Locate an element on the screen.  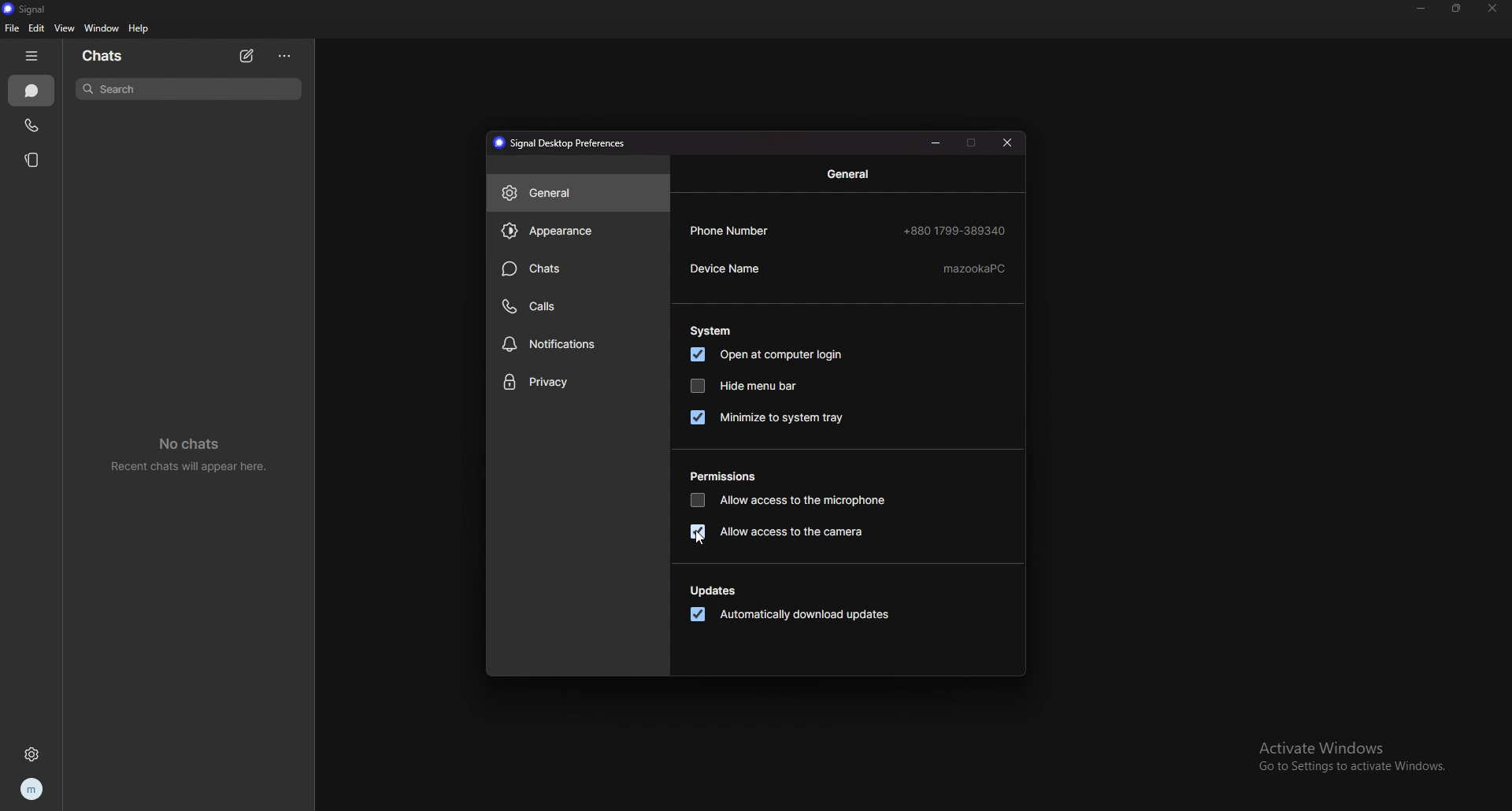
system is located at coordinates (711, 331).